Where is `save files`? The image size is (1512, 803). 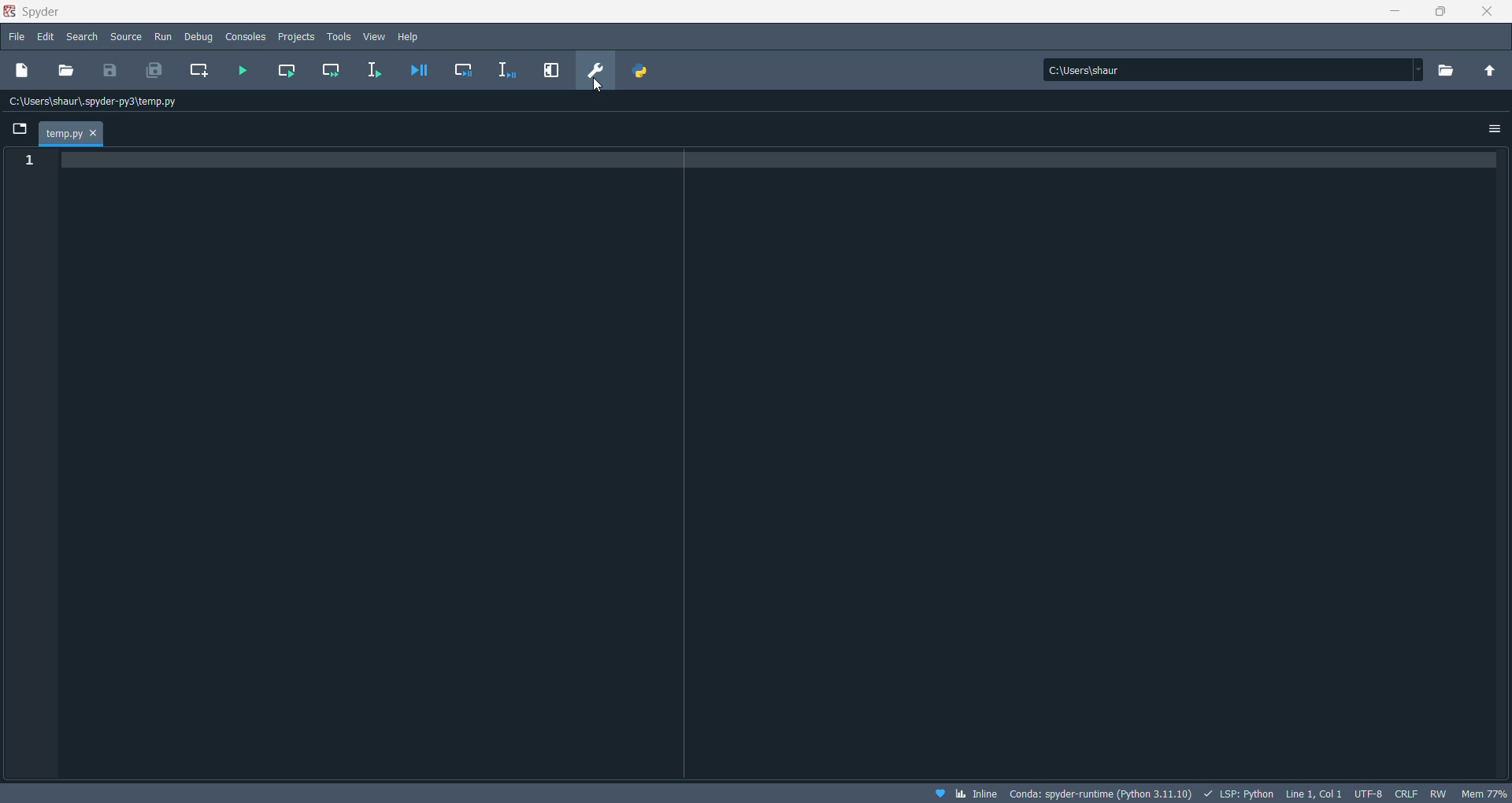
save files is located at coordinates (113, 70).